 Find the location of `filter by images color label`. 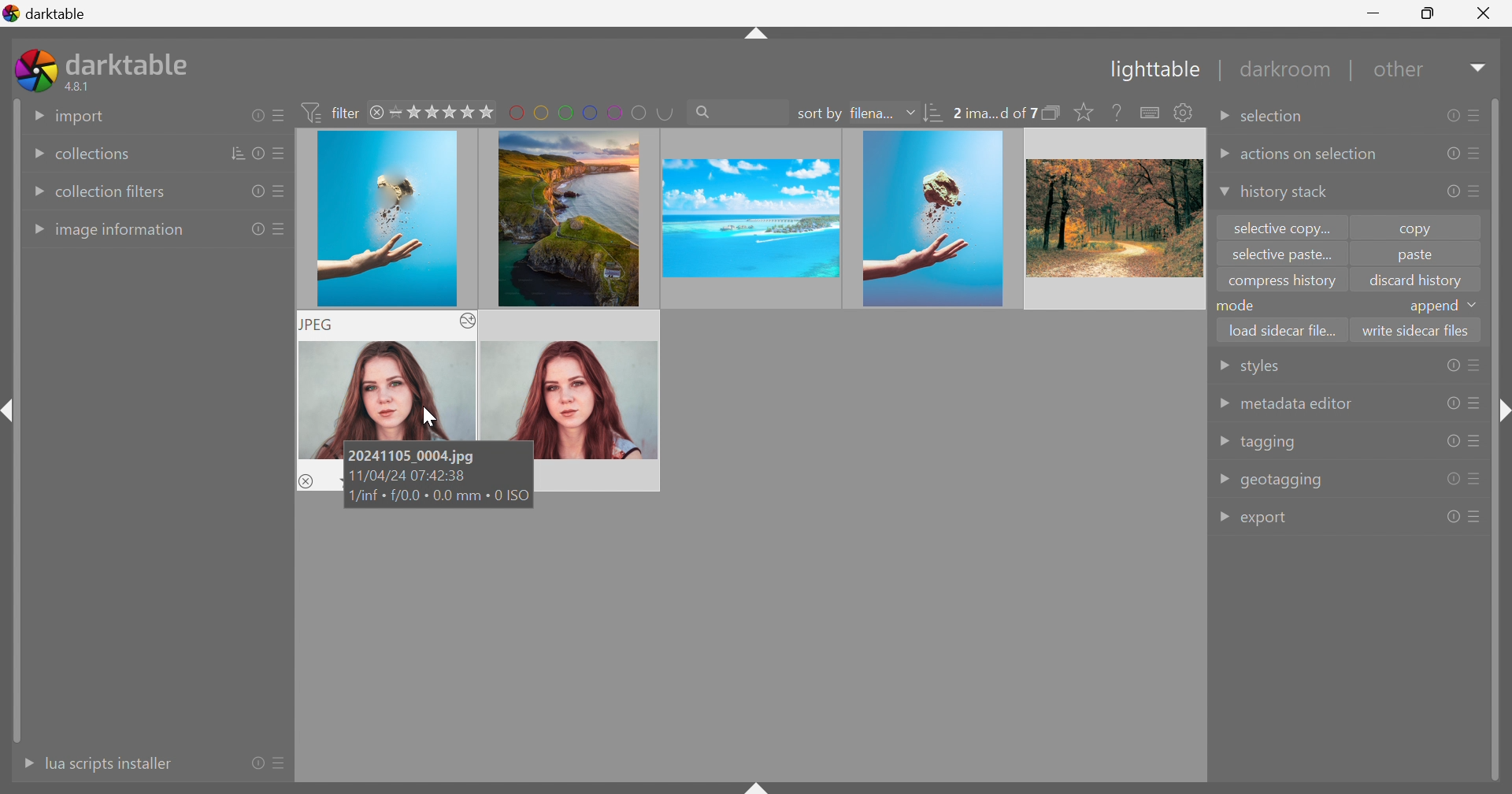

filter by images color label is located at coordinates (591, 111).